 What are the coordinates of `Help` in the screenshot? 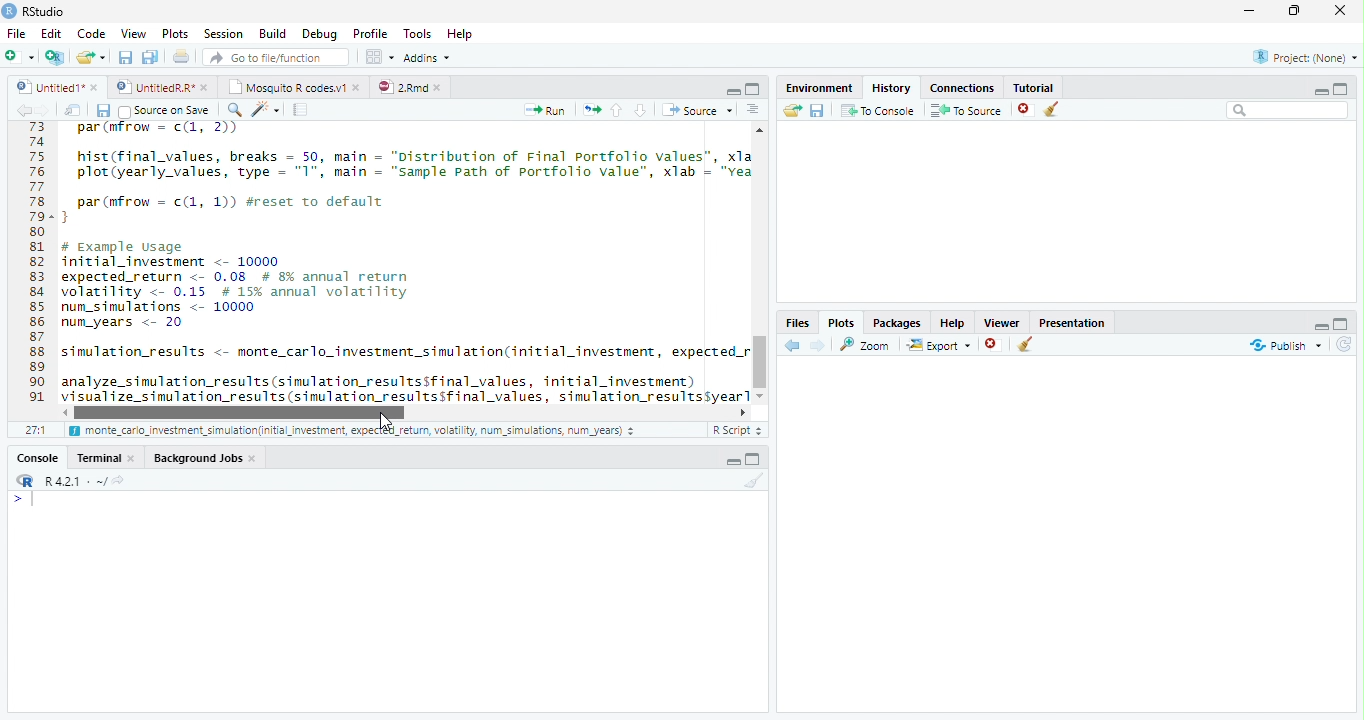 It's located at (952, 322).